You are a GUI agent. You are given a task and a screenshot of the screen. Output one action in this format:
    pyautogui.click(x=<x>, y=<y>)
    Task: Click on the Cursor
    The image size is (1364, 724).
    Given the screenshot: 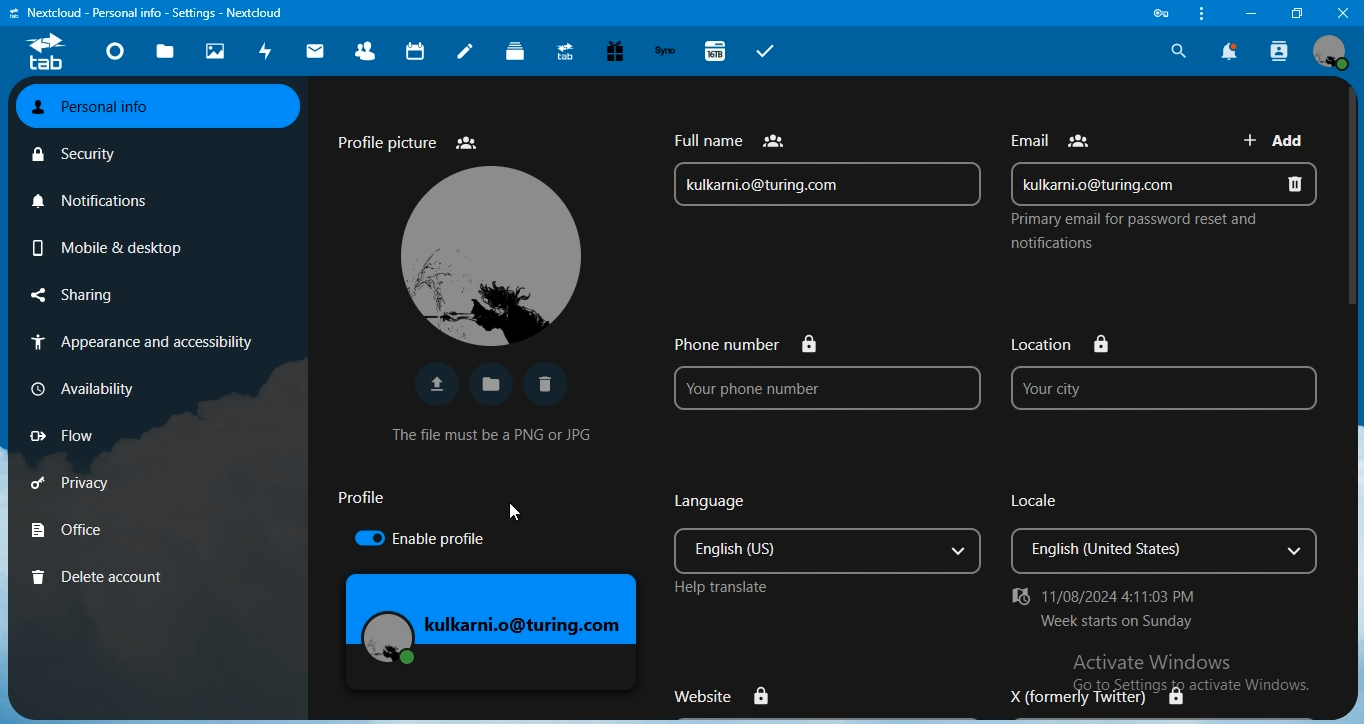 What is the action you would take?
    pyautogui.click(x=512, y=514)
    